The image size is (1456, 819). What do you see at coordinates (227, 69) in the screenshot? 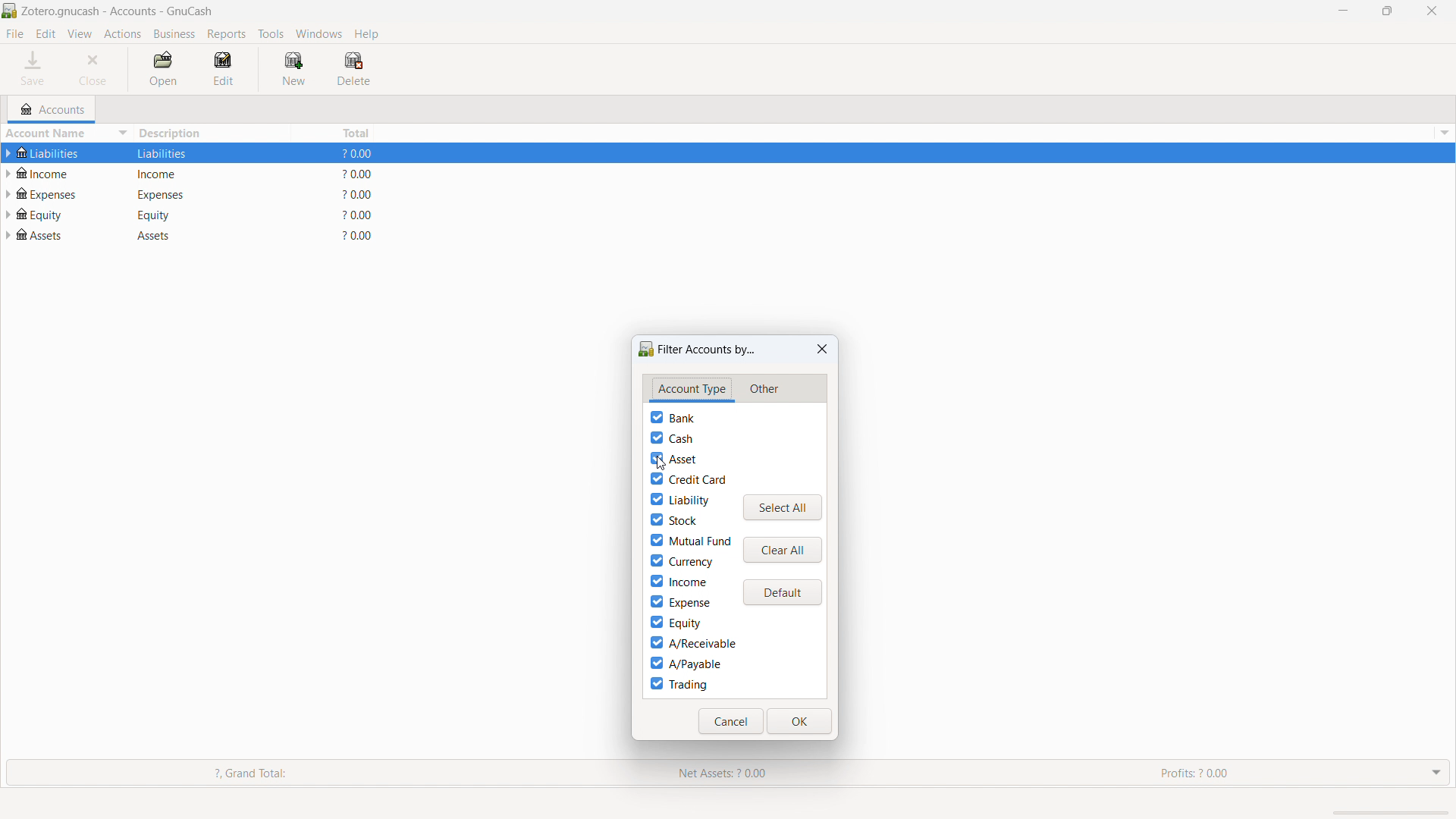
I see `edit` at bounding box center [227, 69].